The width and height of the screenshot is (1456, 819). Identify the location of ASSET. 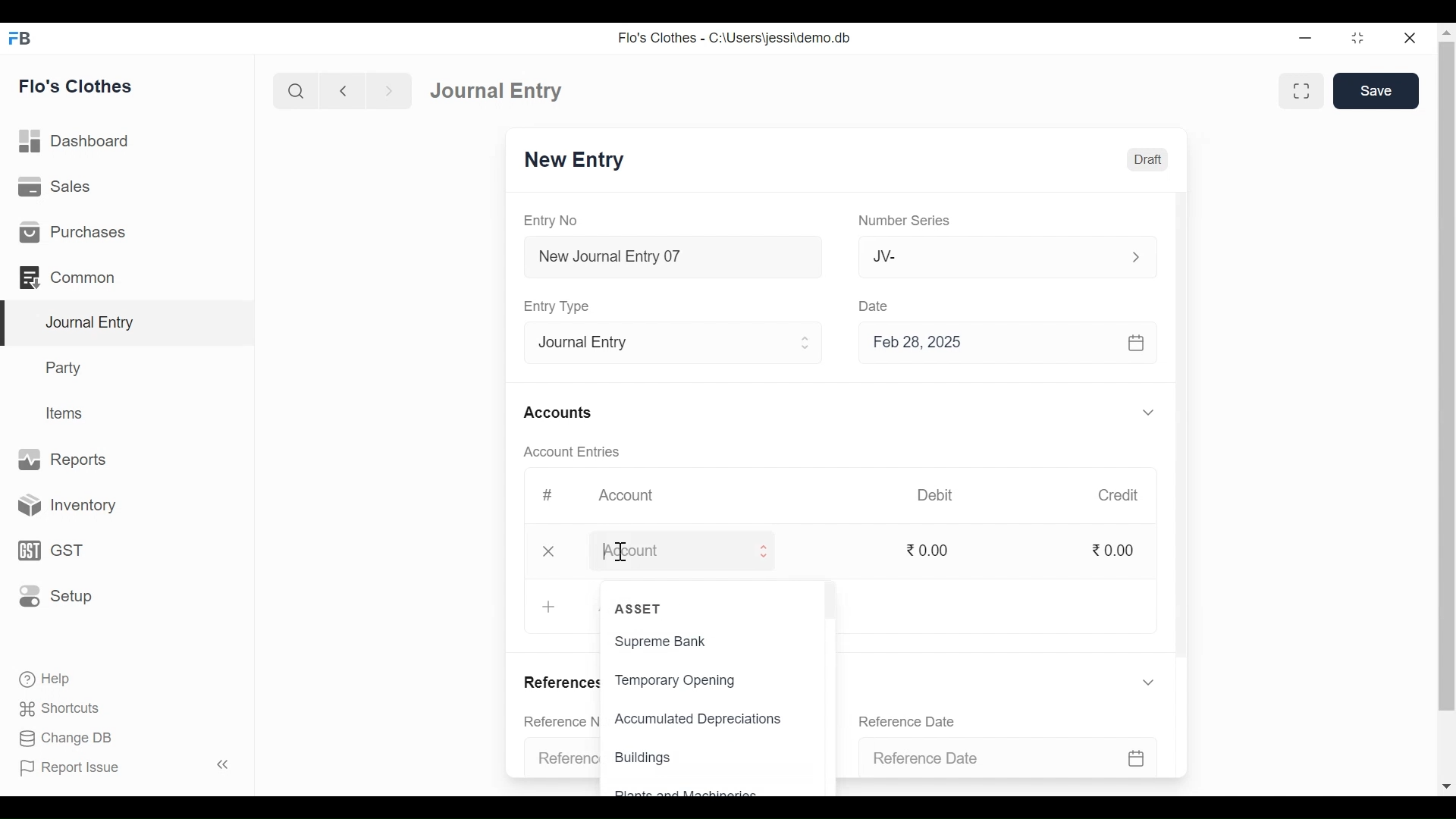
(639, 609).